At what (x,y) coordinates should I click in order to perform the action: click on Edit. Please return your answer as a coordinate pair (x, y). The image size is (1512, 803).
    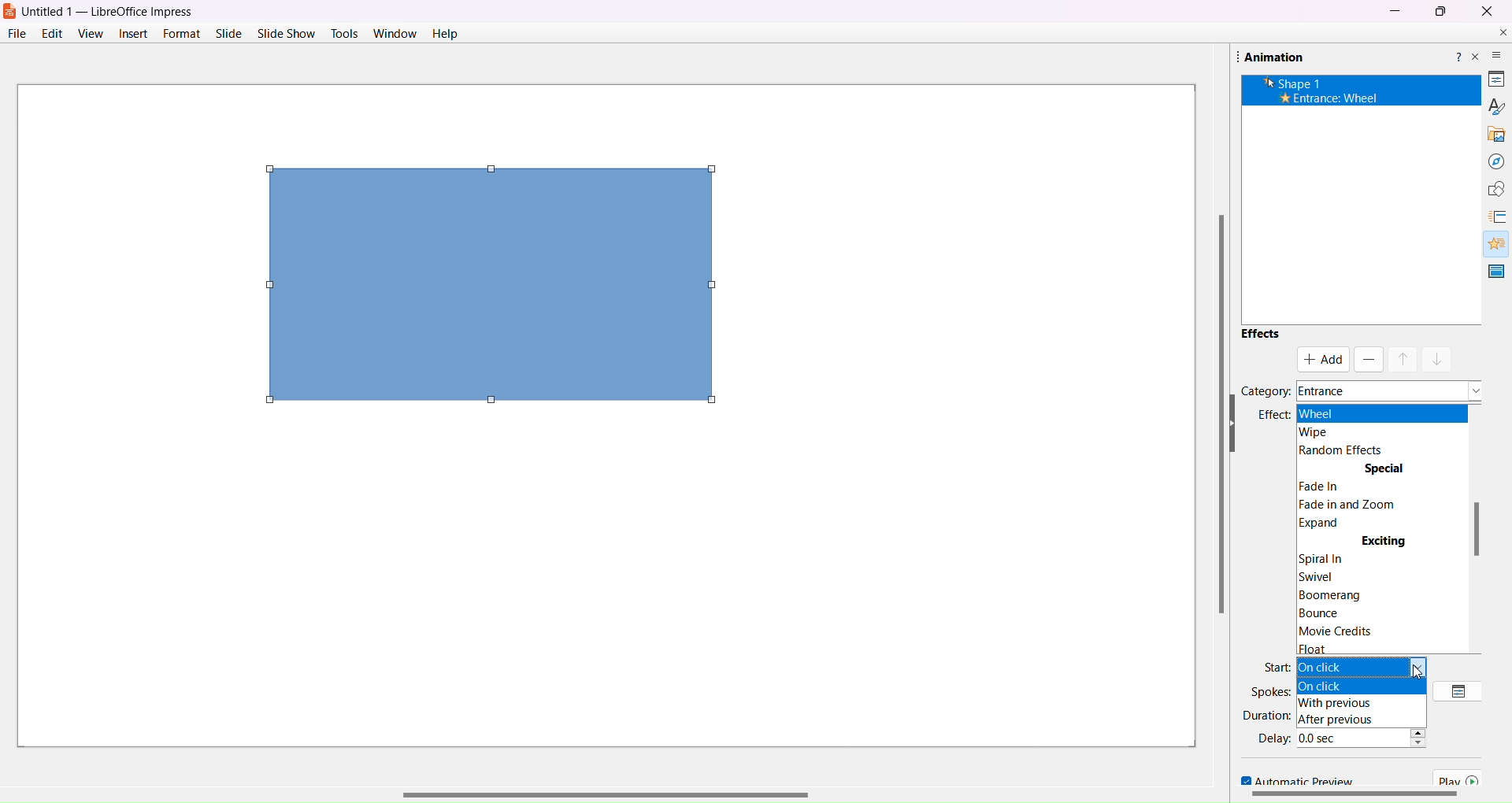
    Looking at the image, I should click on (50, 33).